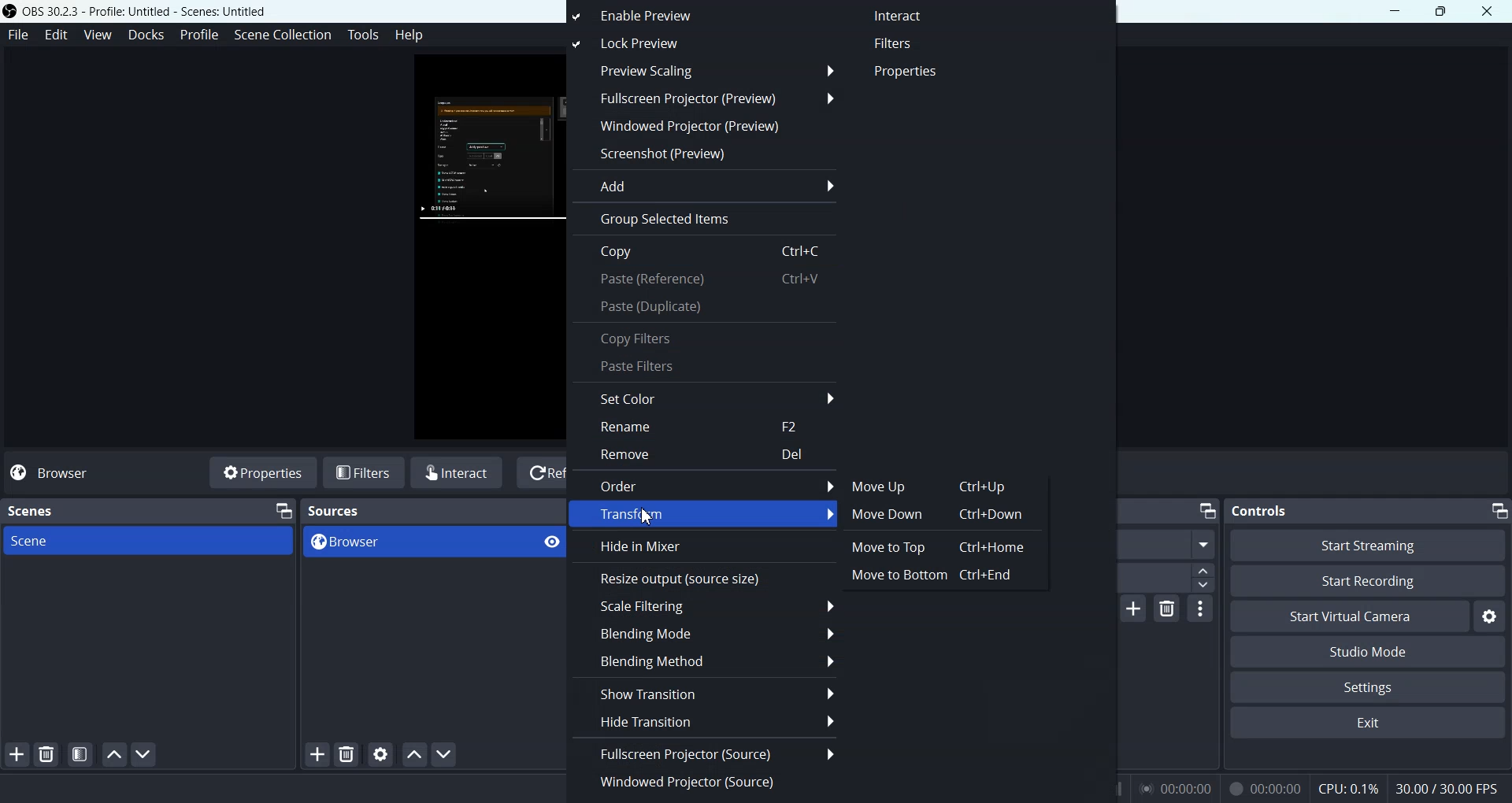 The width and height of the screenshot is (1512, 803). I want to click on Paste (Duplicate), so click(705, 307).